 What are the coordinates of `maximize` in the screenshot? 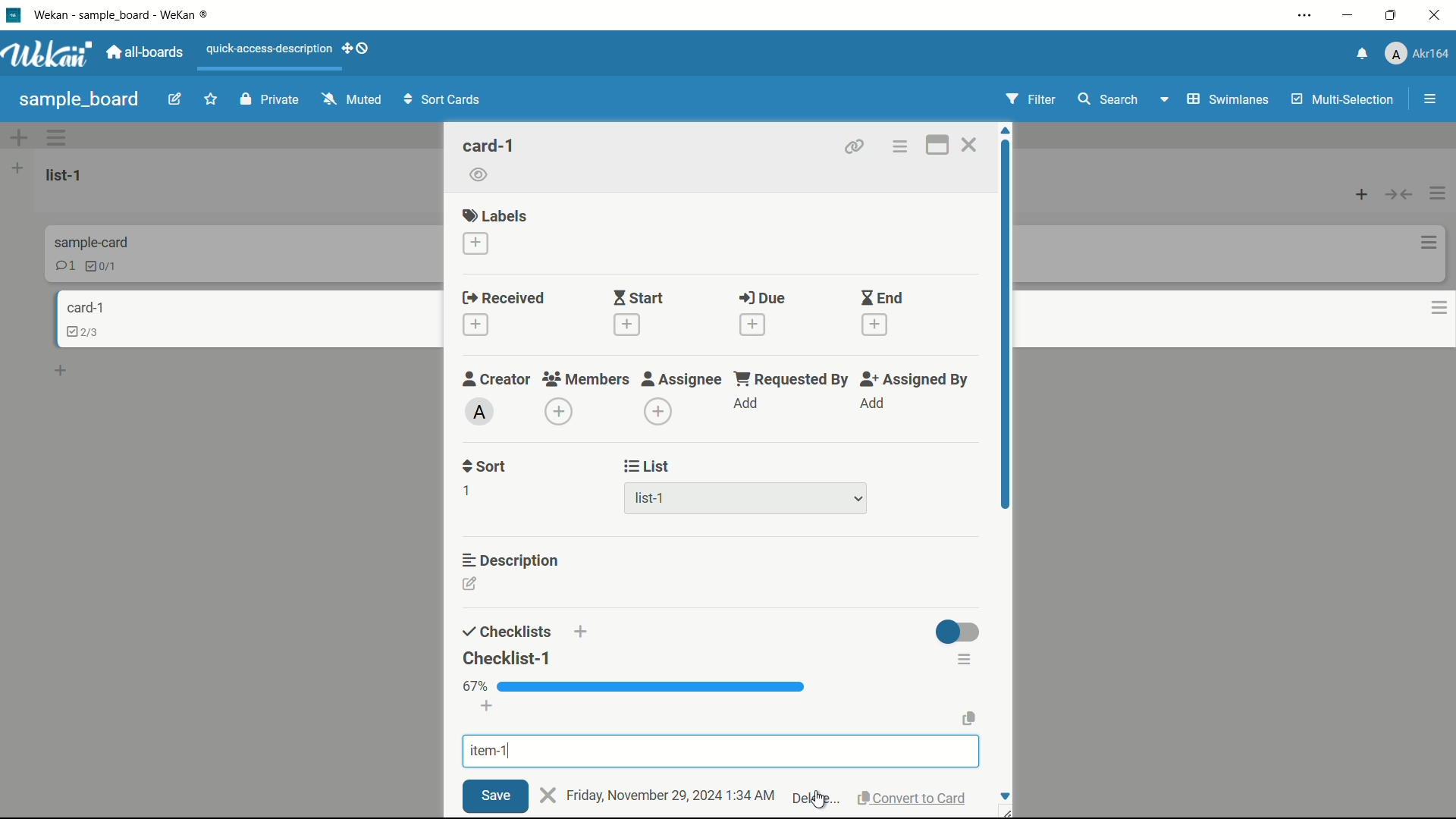 It's located at (1392, 16).